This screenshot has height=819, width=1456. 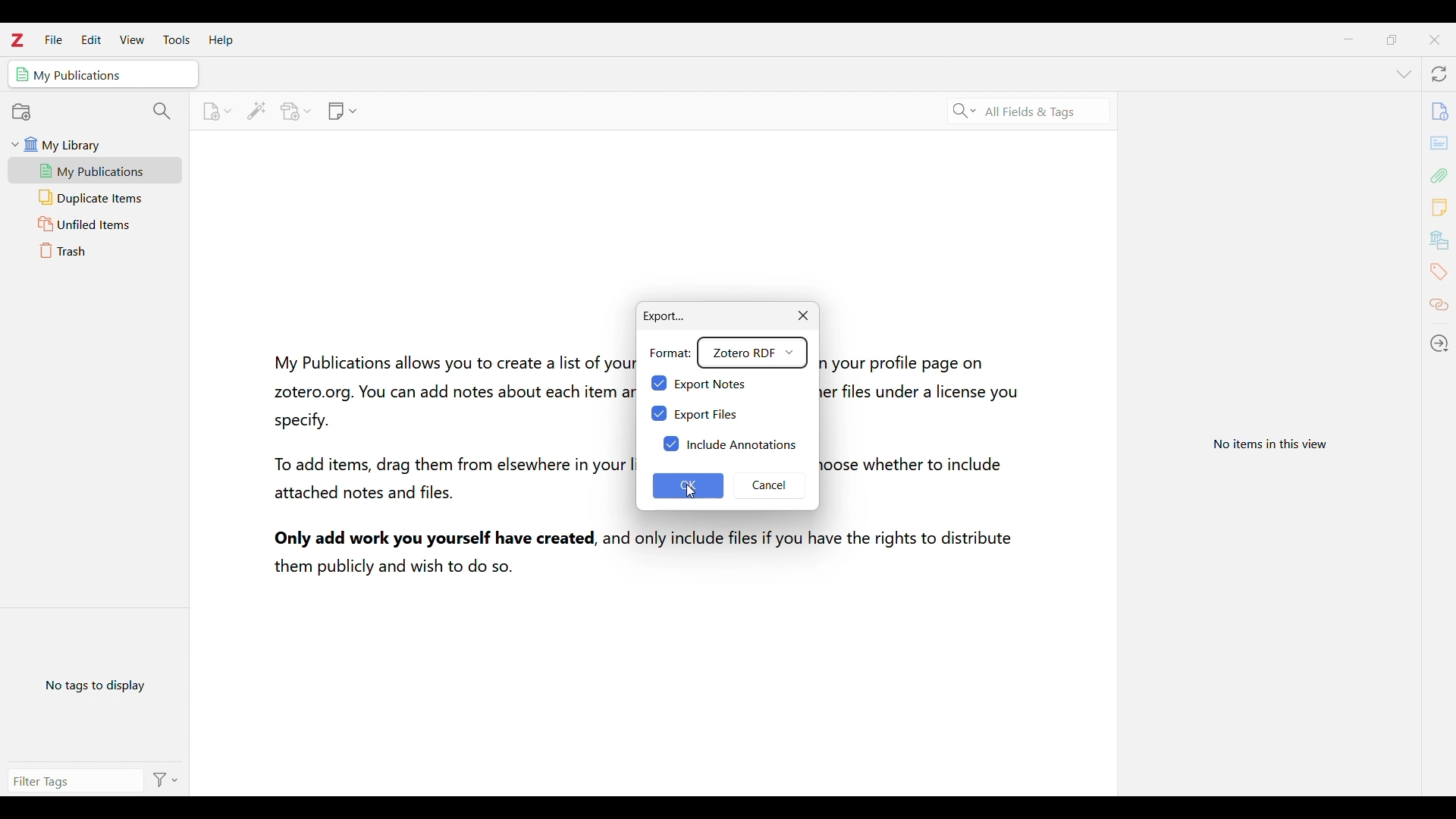 I want to click on Add new collection, so click(x=22, y=112).